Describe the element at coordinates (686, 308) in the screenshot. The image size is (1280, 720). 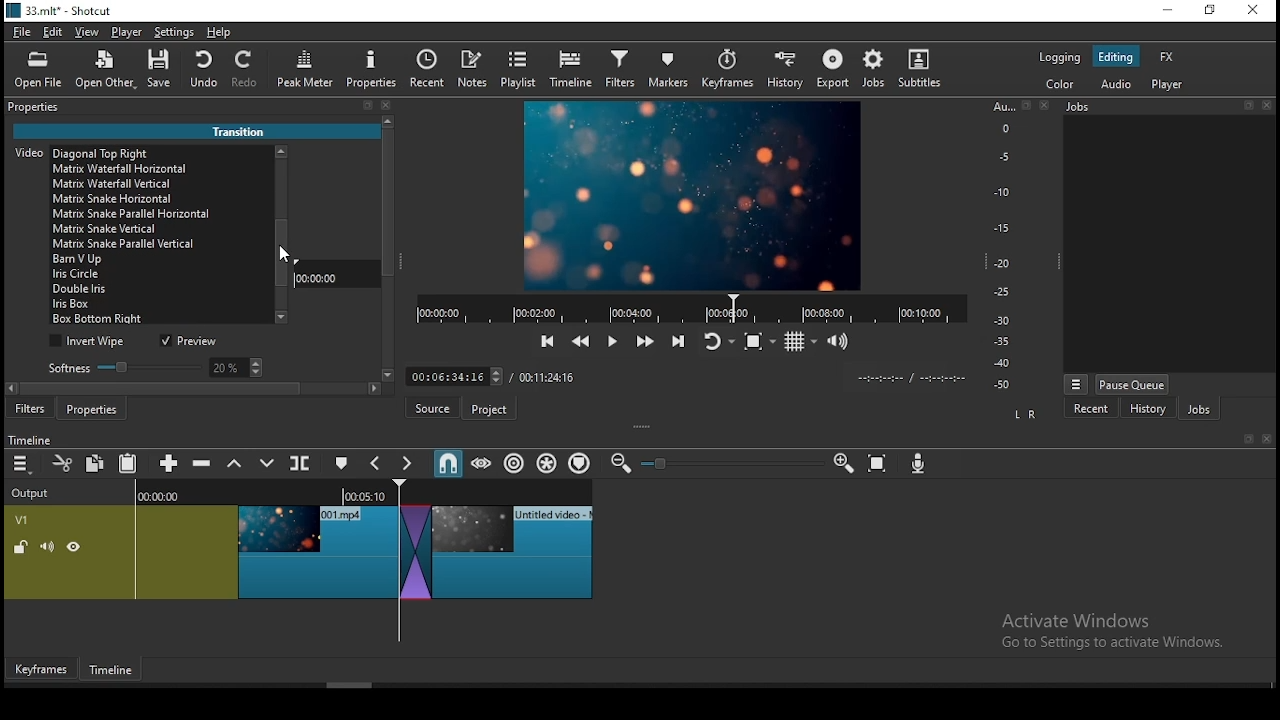
I see `timer` at that location.